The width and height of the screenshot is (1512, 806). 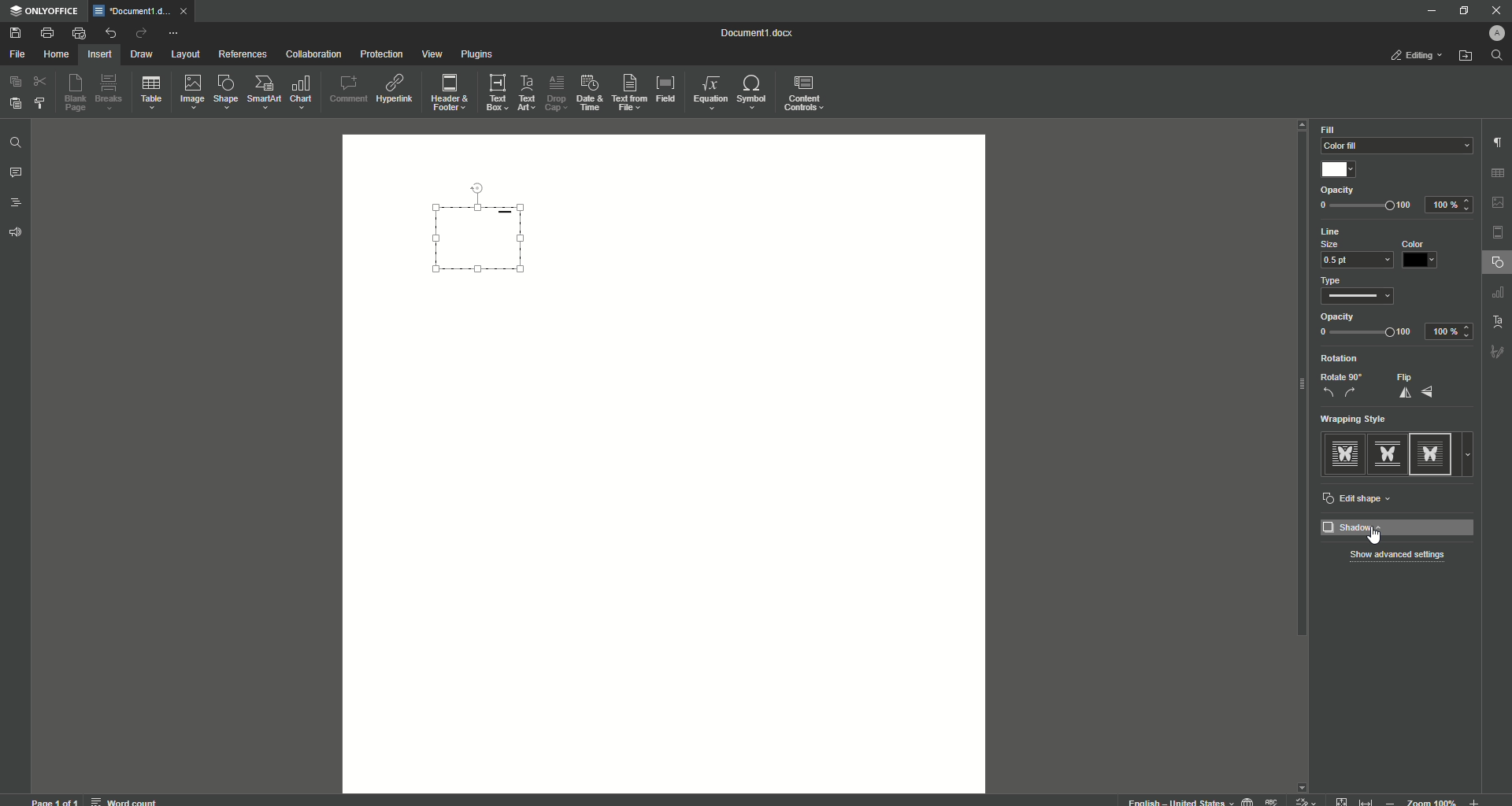 I want to click on Undo, so click(x=109, y=33).